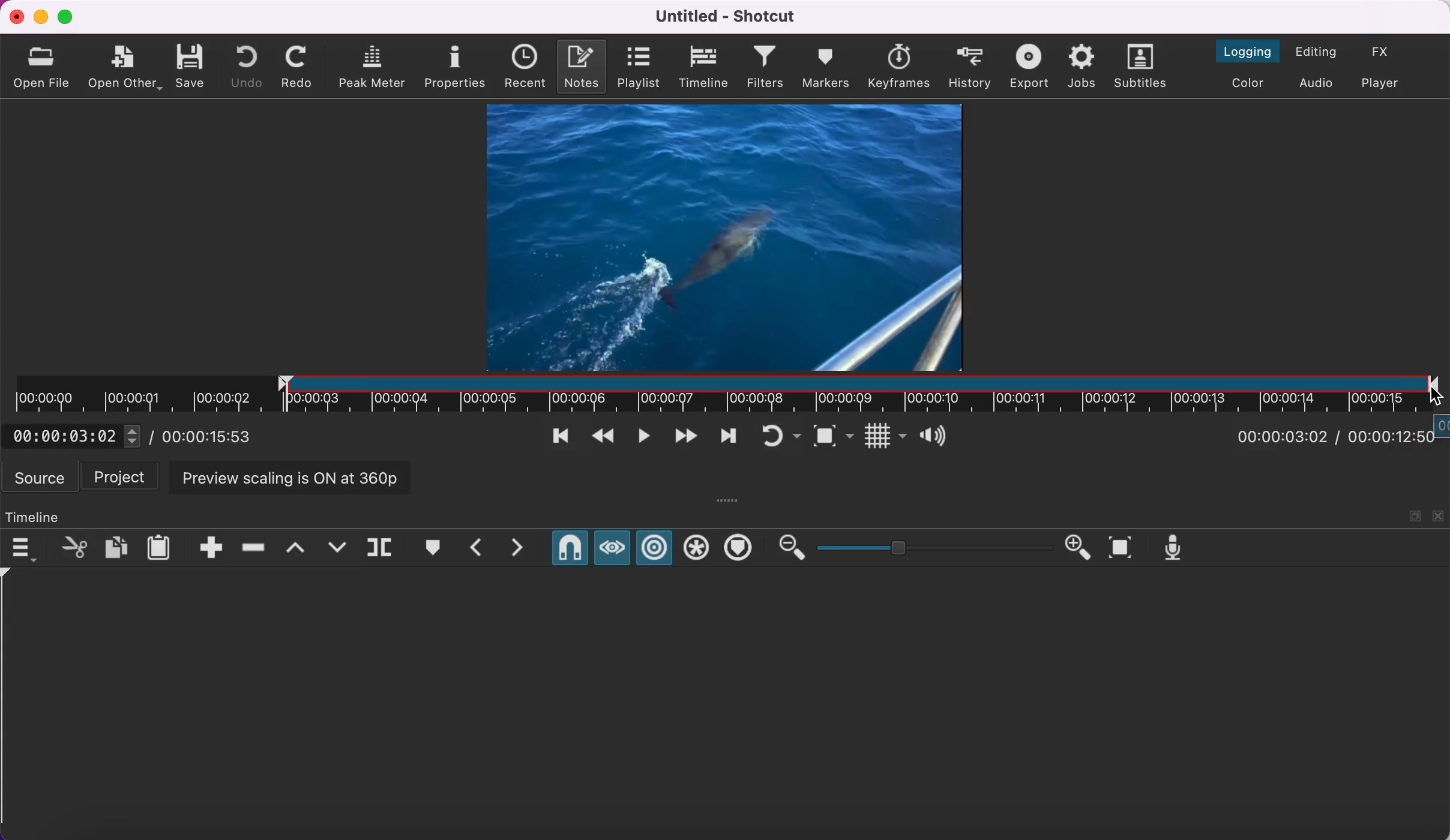  I want to click on append, so click(210, 547).